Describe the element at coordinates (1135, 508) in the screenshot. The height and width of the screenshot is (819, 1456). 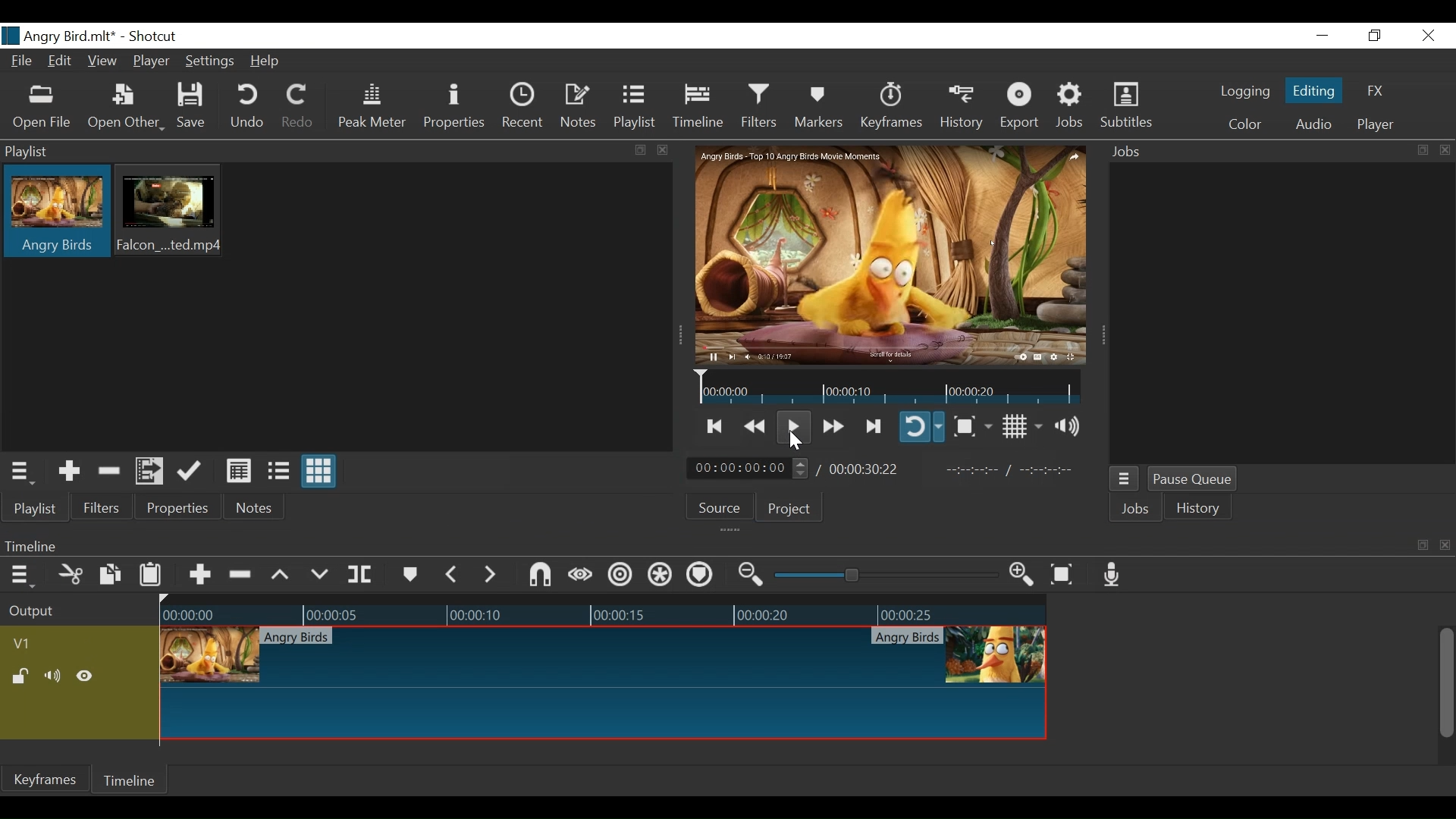
I see `Jobs` at that location.